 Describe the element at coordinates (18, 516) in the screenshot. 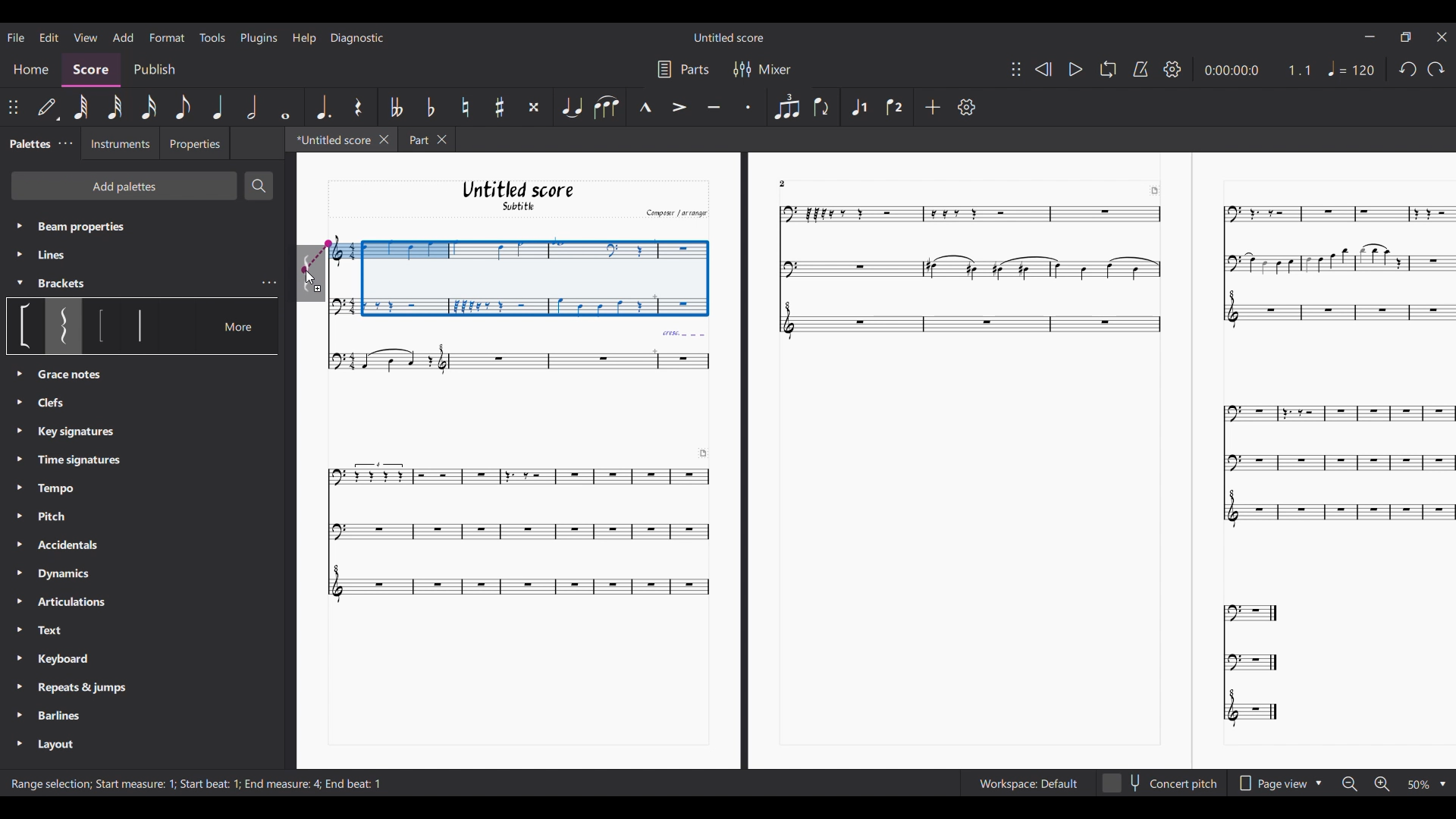

I see `` at that location.